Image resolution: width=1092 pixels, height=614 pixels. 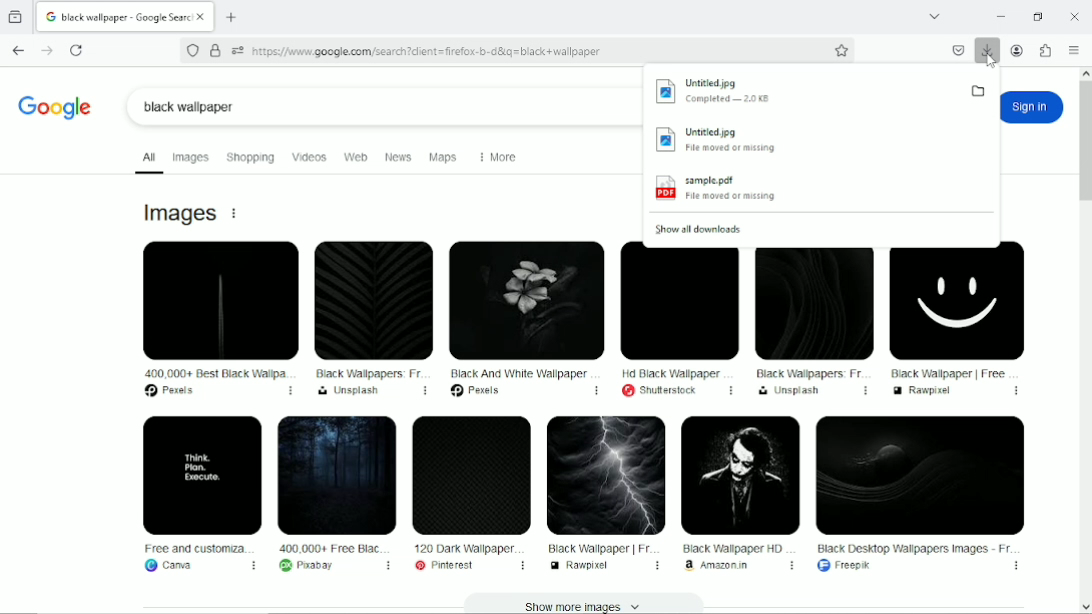 What do you see at coordinates (47, 49) in the screenshot?
I see `Go forward` at bounding box center [47, 49].